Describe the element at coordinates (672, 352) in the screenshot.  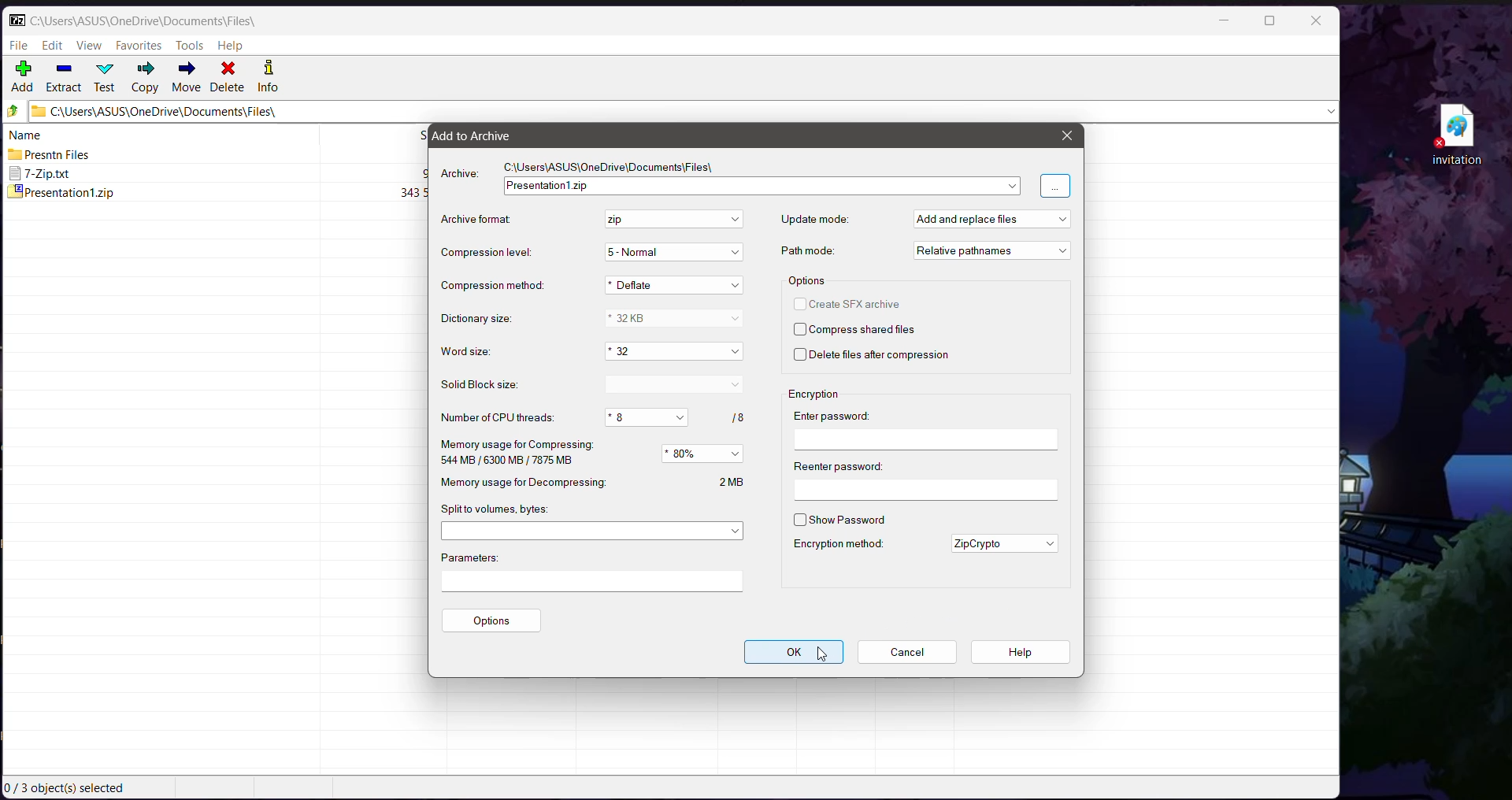
I see `Set the Word size` at that location.